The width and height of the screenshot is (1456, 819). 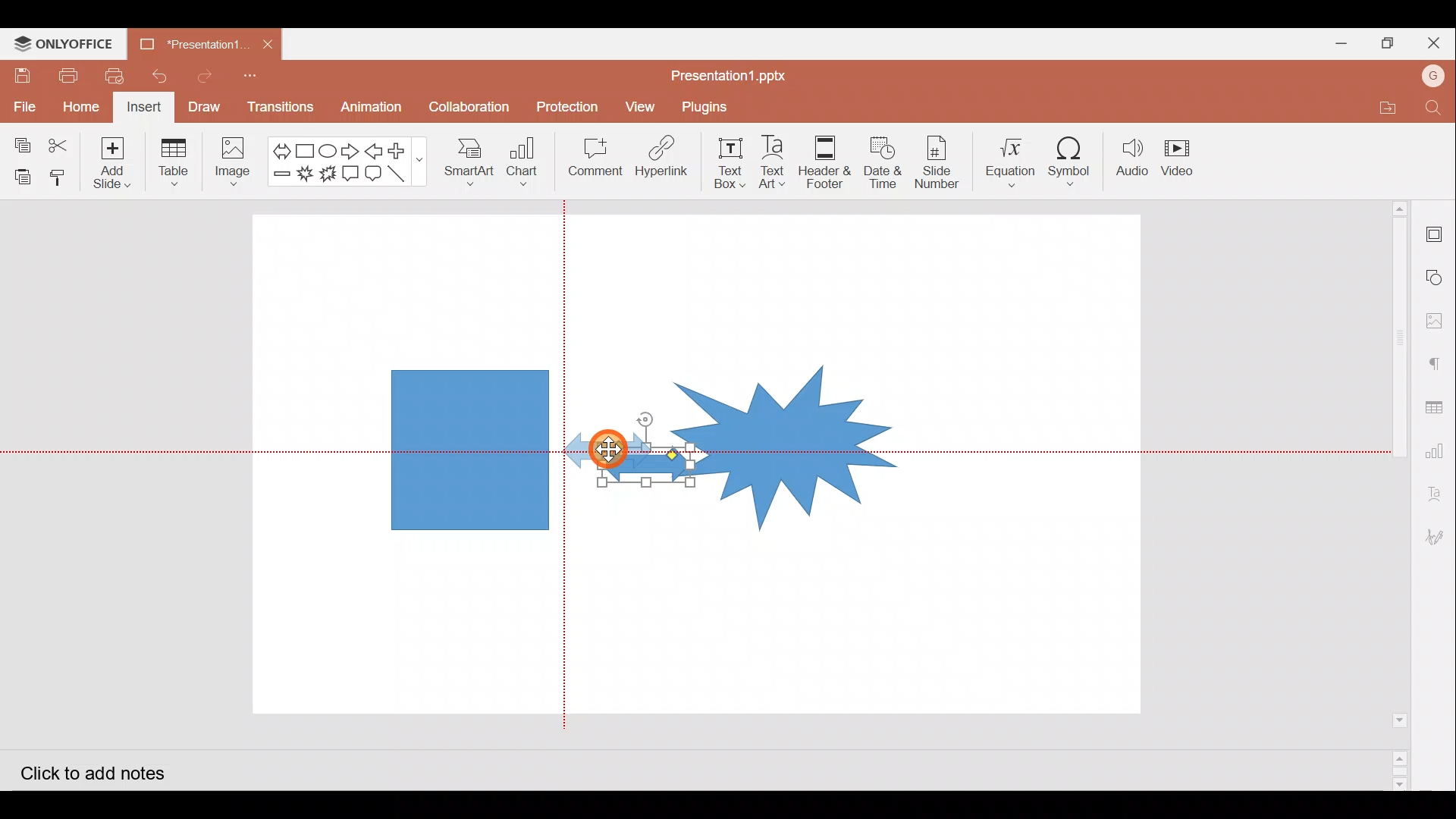 I want to click on Close, so click(x=1432, y=42).